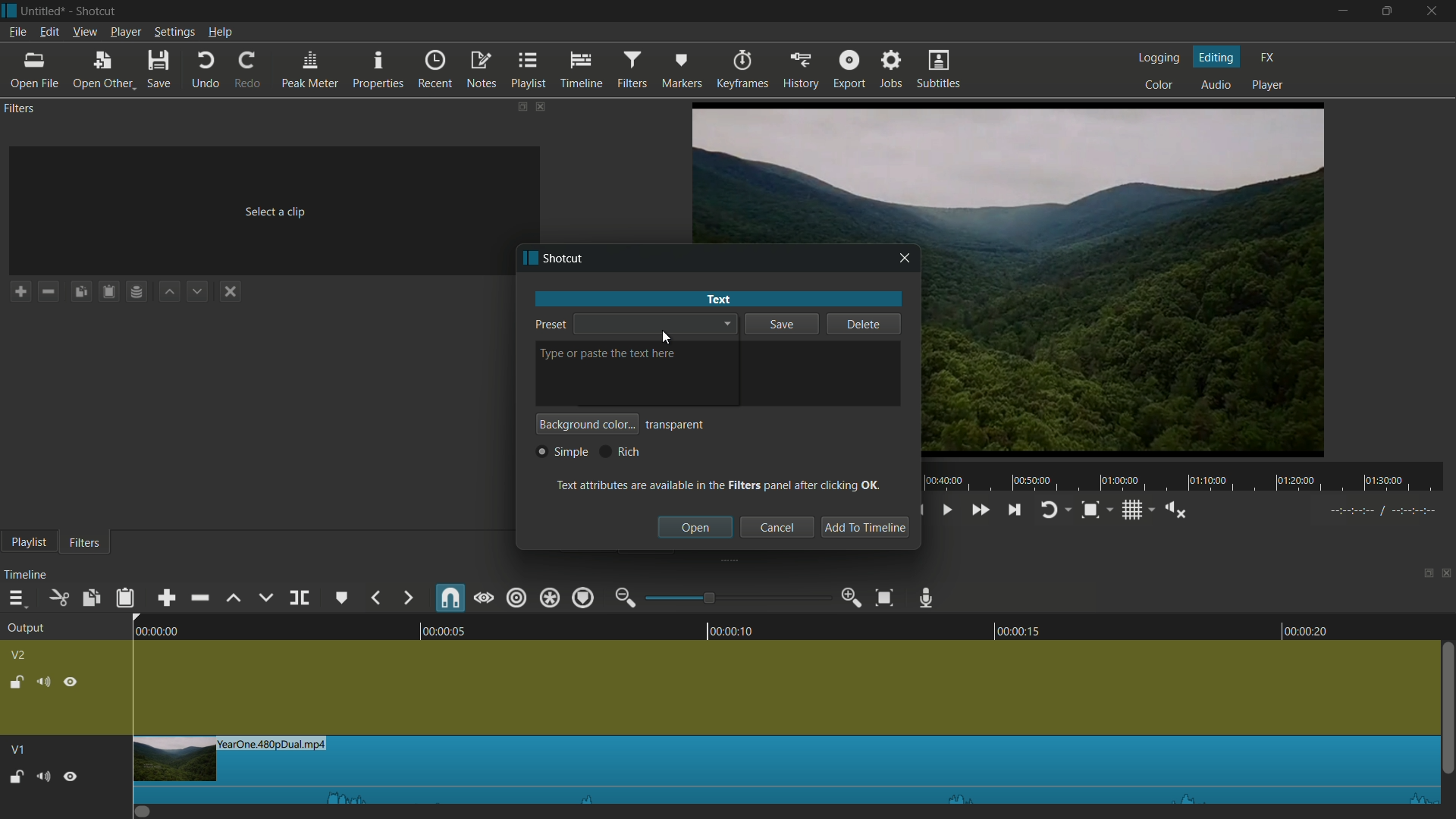  I want to click on down, so click(196, 292).